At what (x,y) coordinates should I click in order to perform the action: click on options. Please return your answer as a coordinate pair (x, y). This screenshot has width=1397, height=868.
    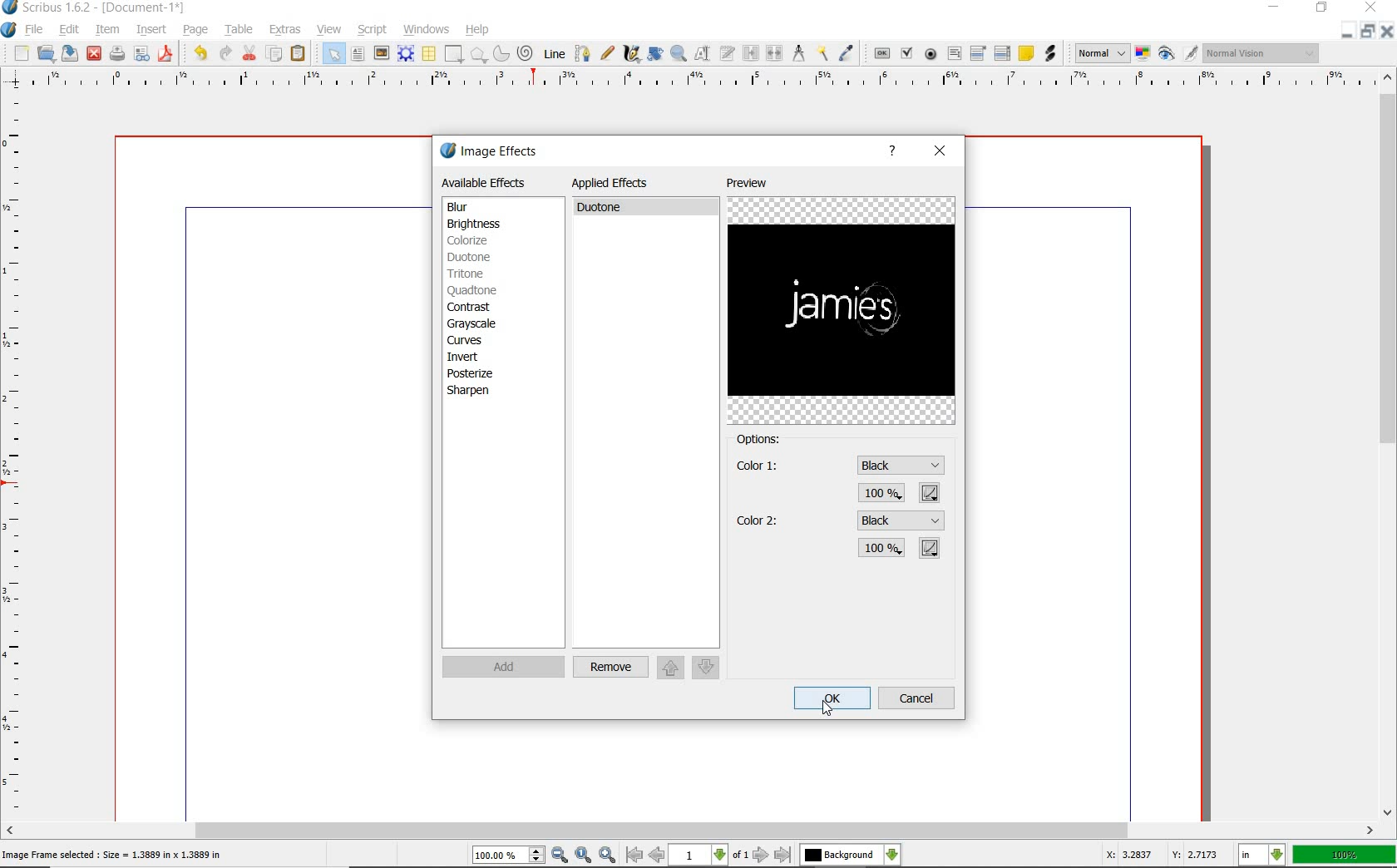
    Looking at the image, I should click on (758, 442).